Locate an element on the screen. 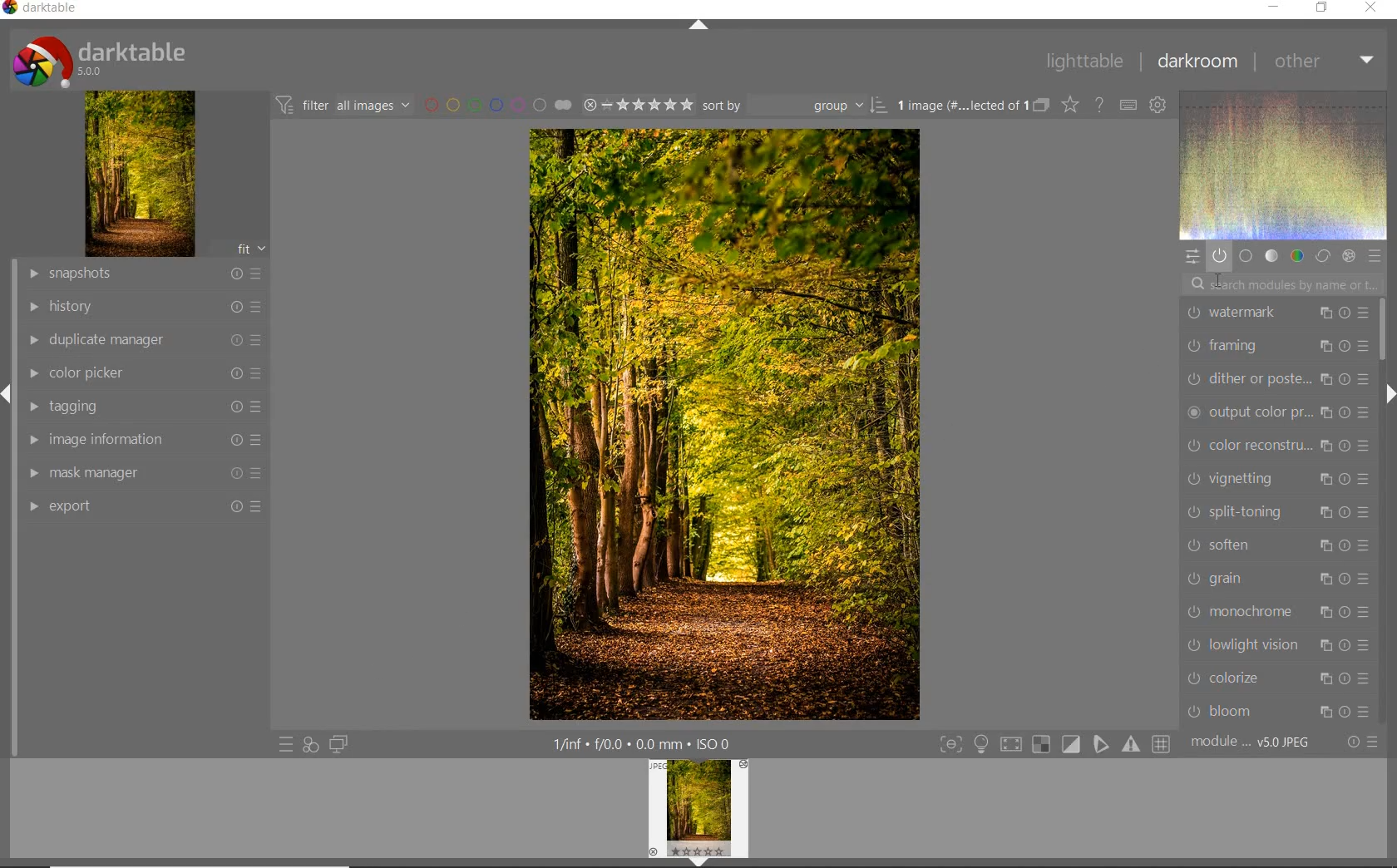 Image resolution: width=1397 pixels, height=868 pixels. history is located at coordinates (144, 305).